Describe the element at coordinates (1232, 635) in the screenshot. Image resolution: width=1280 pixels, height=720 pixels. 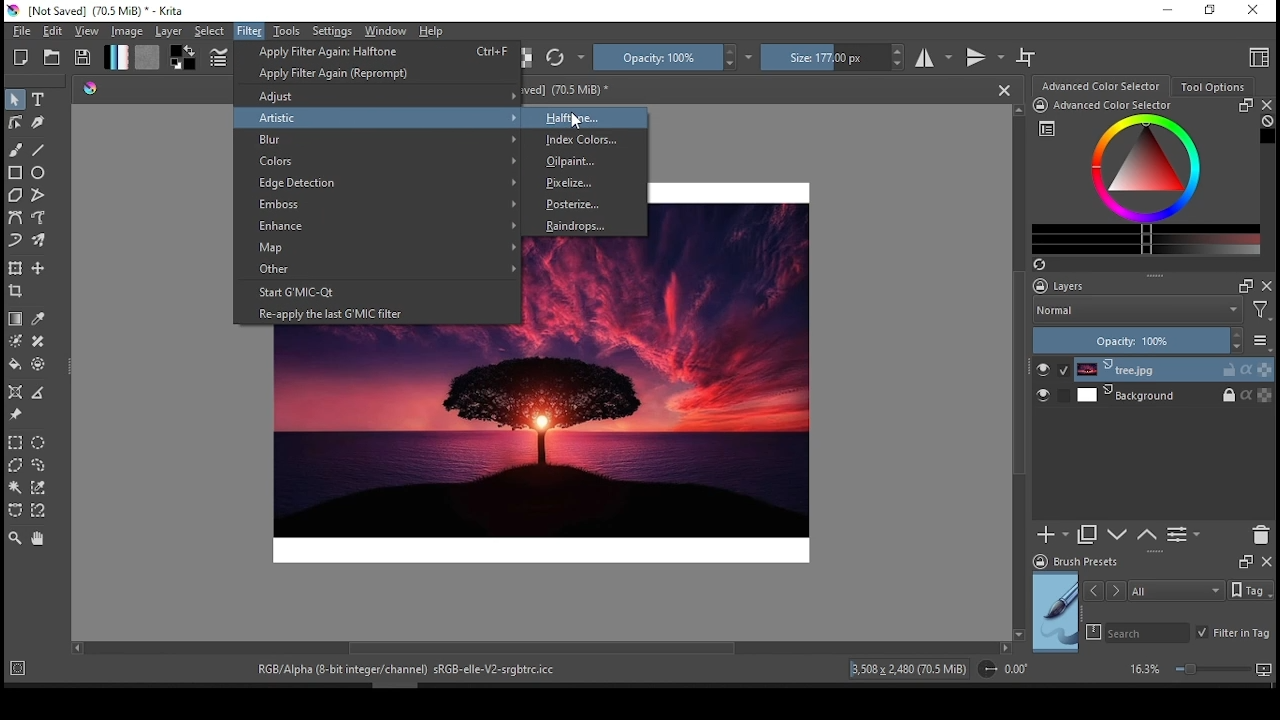
I see `filter in tag on/off` at that location.